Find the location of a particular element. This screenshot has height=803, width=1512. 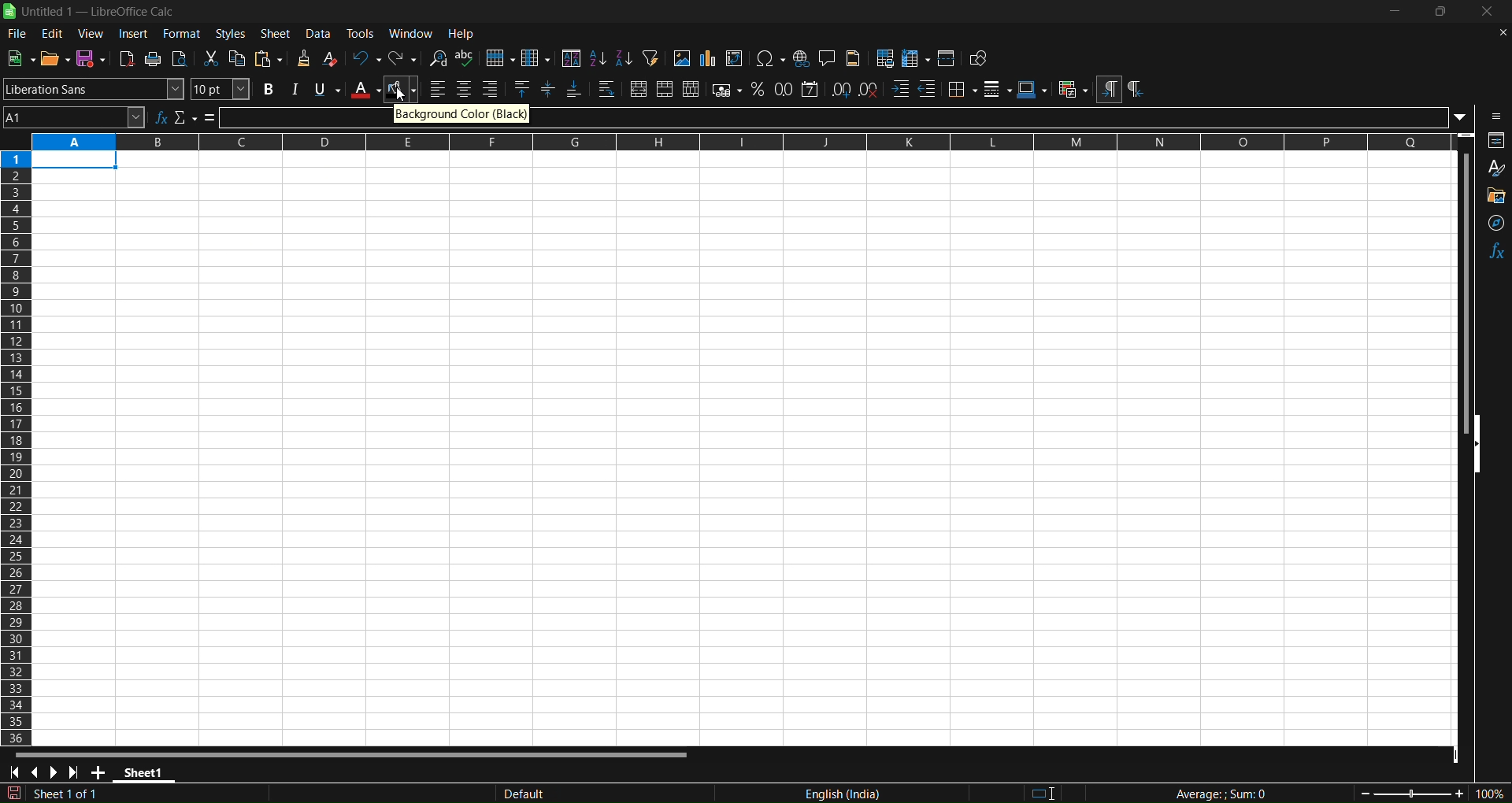

copy is located at coordinates (238, 57).